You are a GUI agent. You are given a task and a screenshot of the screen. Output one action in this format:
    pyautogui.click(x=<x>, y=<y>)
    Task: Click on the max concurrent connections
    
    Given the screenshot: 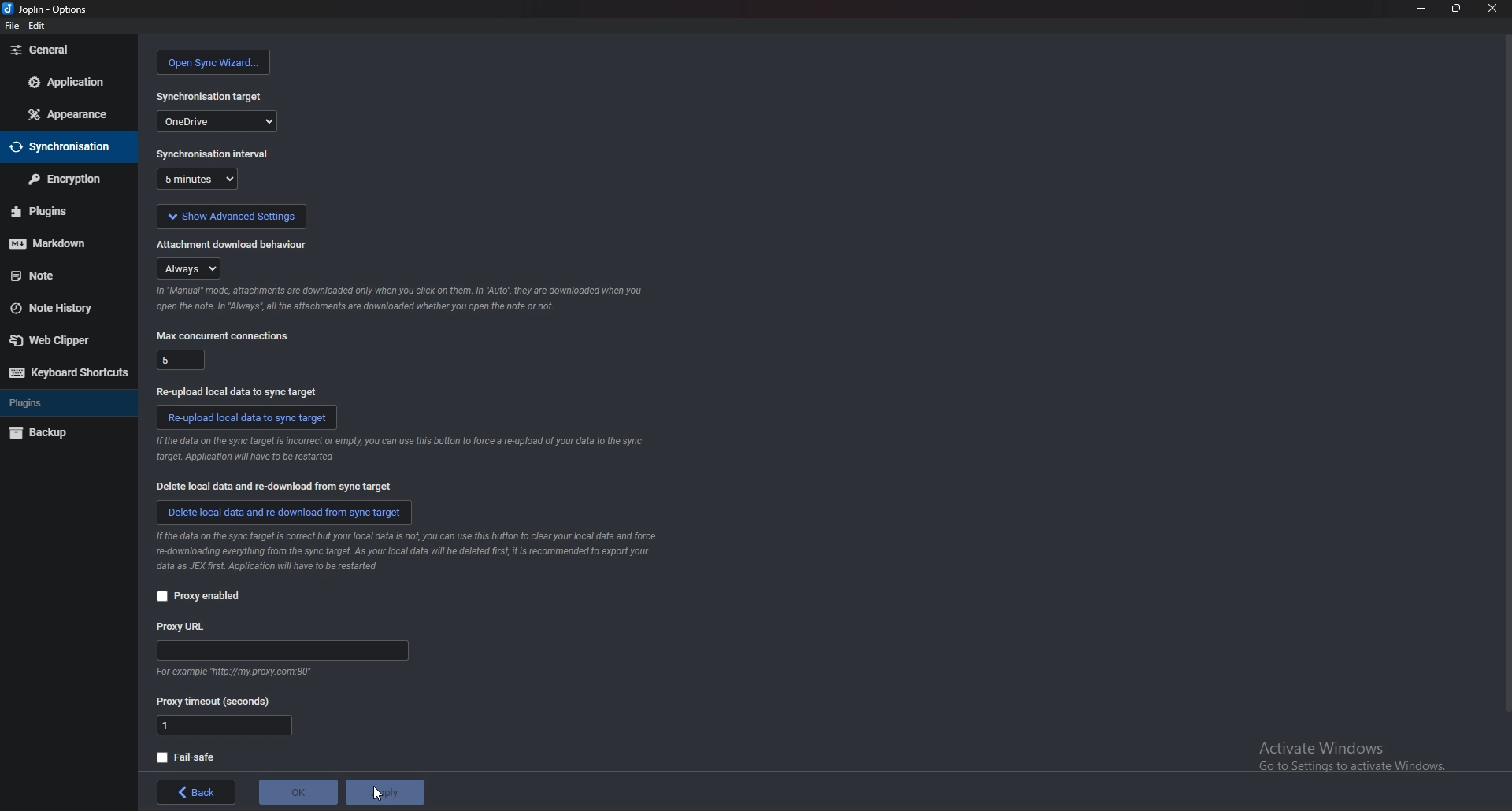 What is the action you would take?
    pyautogui.click(x=224, y=334)
    